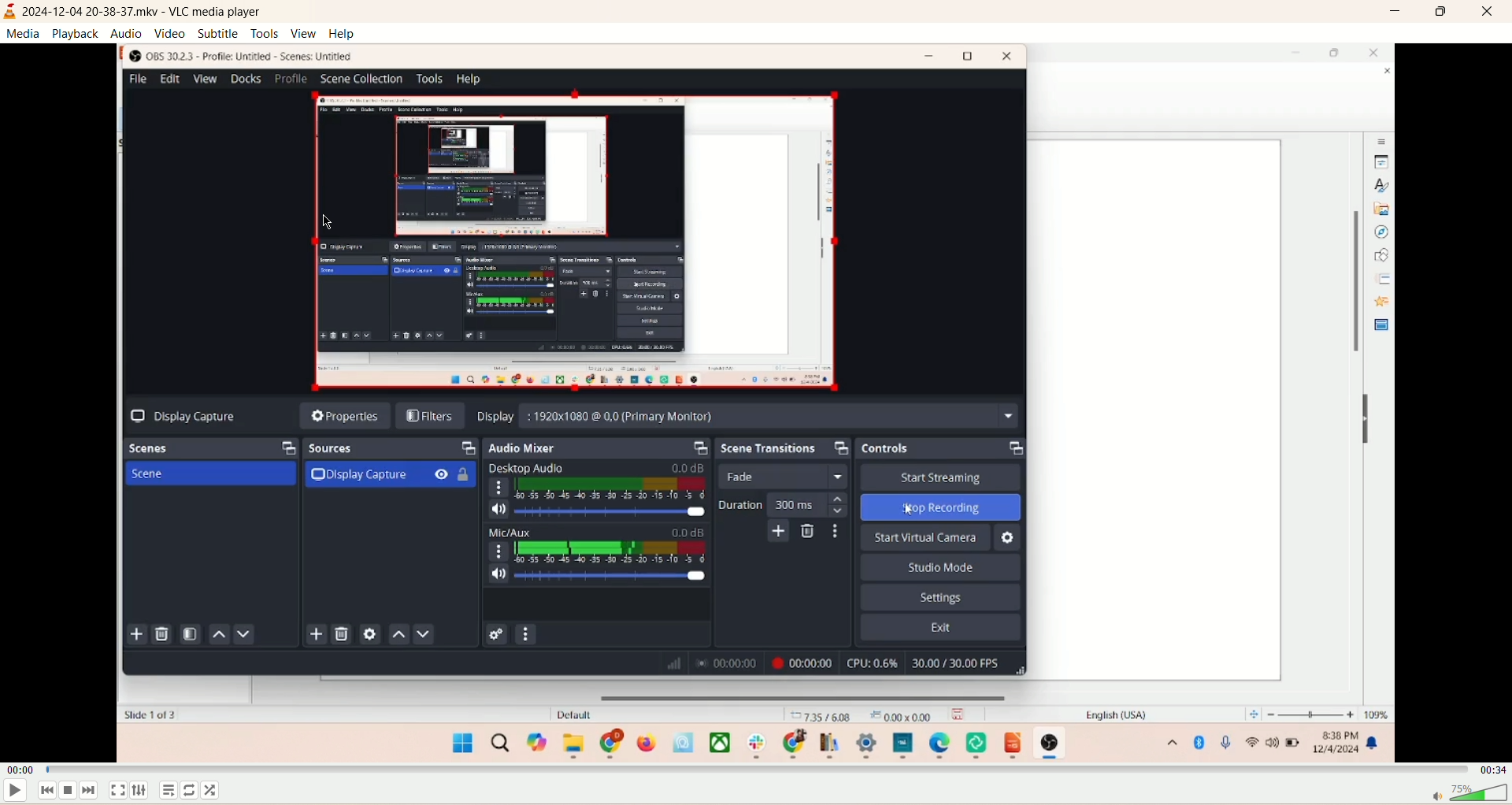 The height and width of the screenshot is (805, 1512). Describe the element at coordinates (759, 768) in the screenshot. I see `progress bar` at that location.